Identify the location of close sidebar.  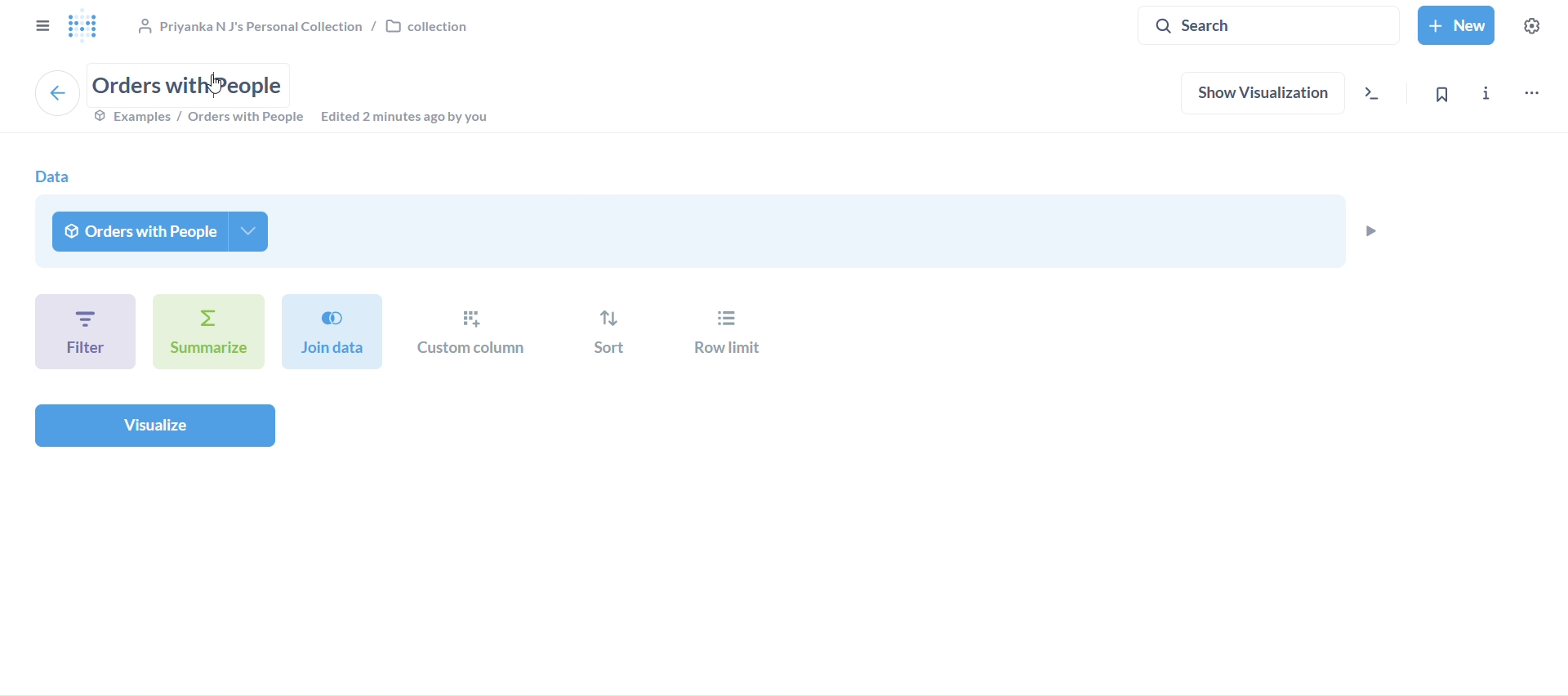
(40, 26).